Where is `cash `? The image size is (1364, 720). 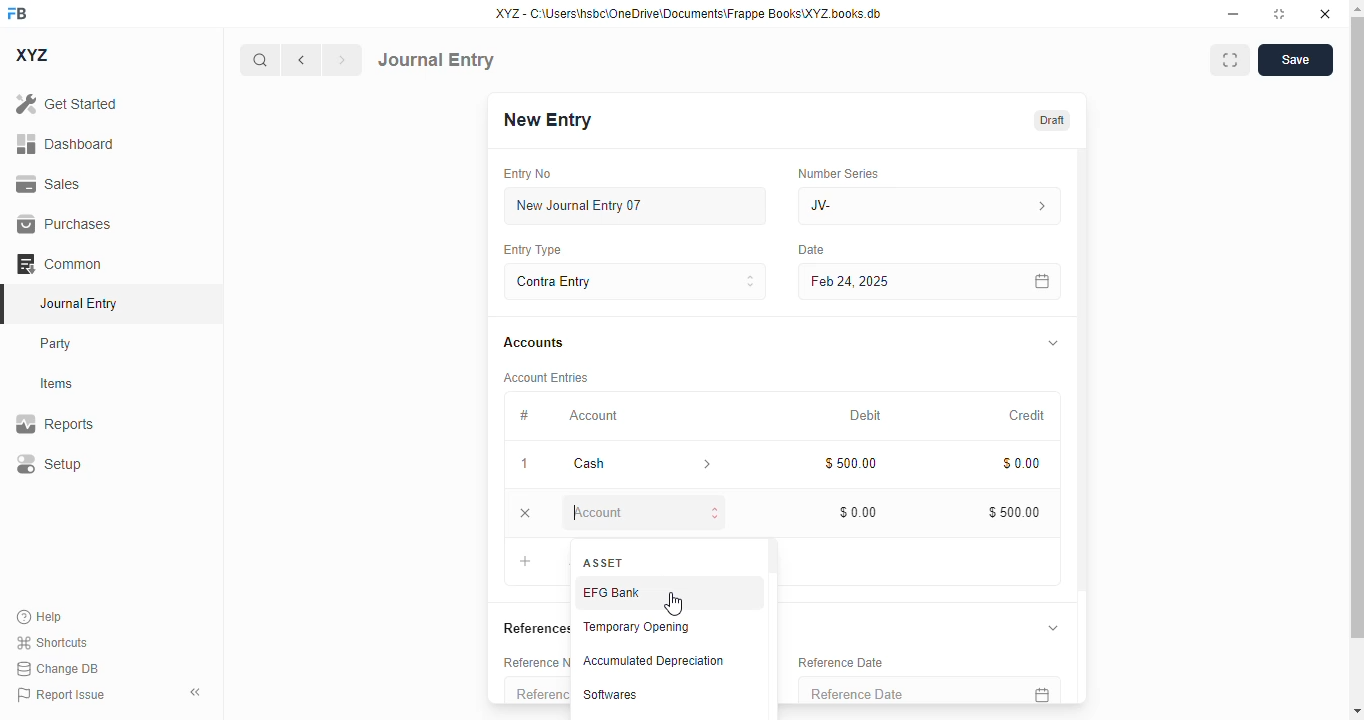 cash  is located at coordinates (612, 464).